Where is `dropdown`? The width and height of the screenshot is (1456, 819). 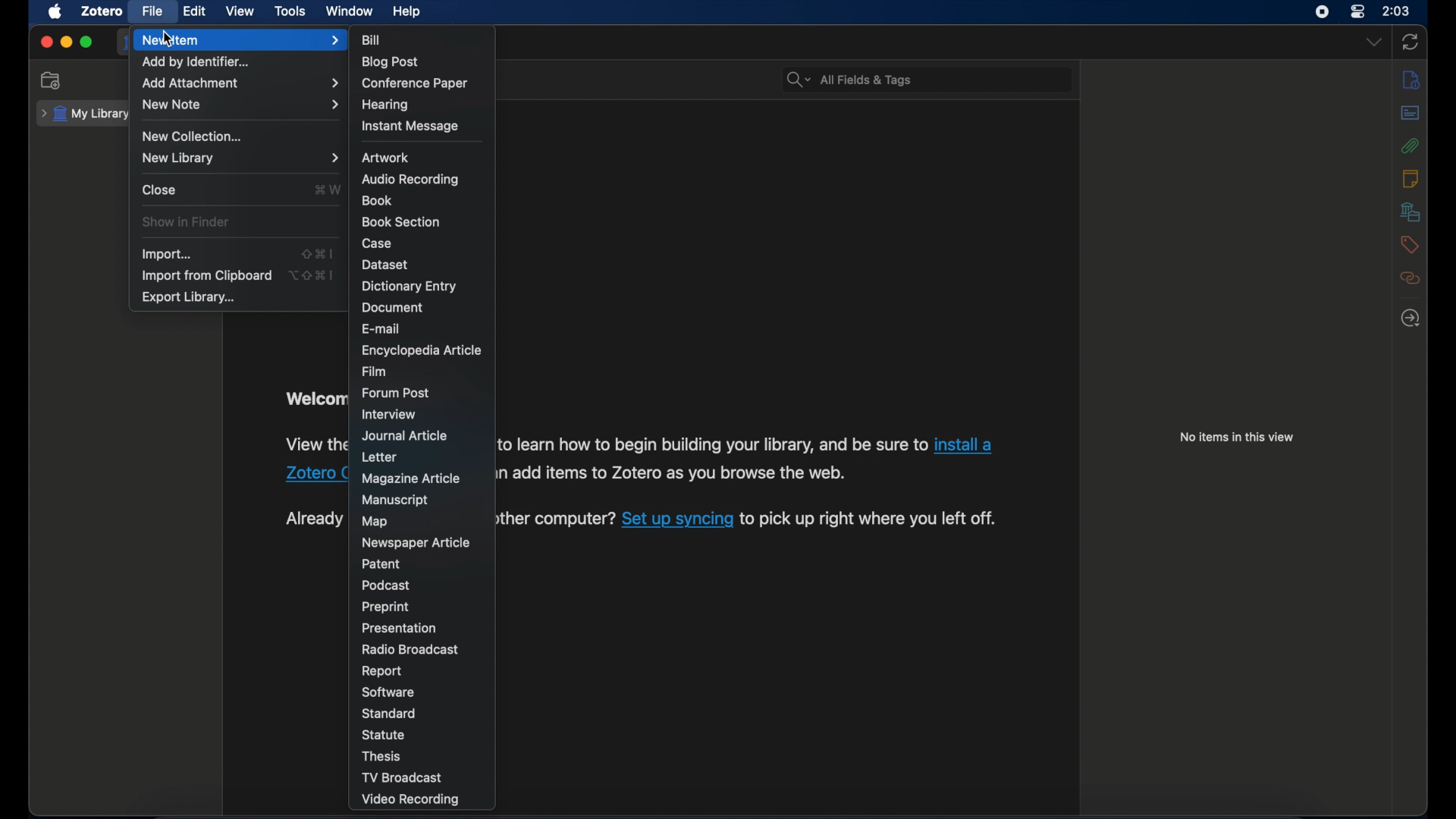
dropdown is located at coordinates (1375, 41).